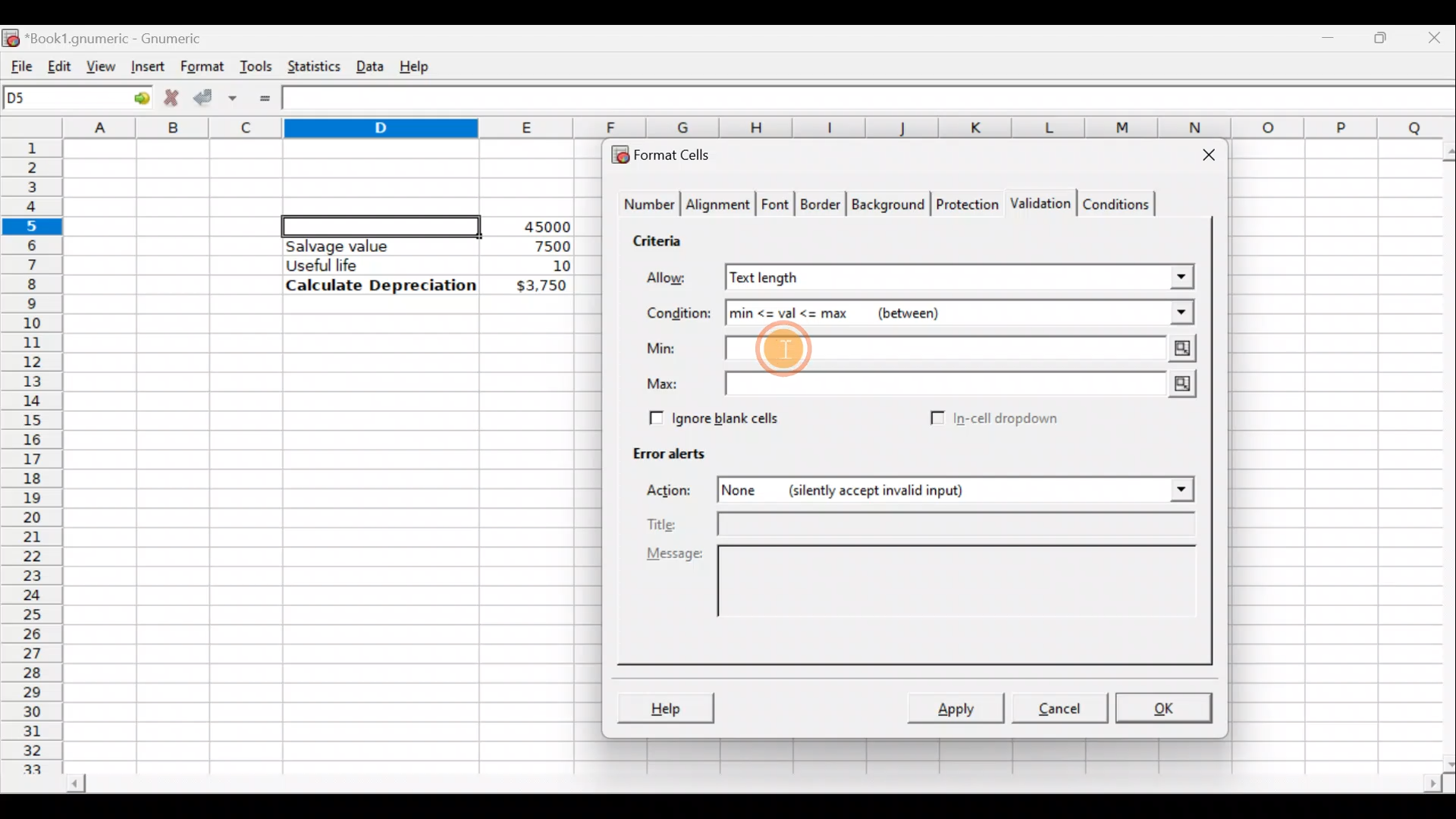 The height and width of the screenshot is (819, 1456). Describe the element at coordinates (678, 493) in the screenshot. I see `Action` at that location.